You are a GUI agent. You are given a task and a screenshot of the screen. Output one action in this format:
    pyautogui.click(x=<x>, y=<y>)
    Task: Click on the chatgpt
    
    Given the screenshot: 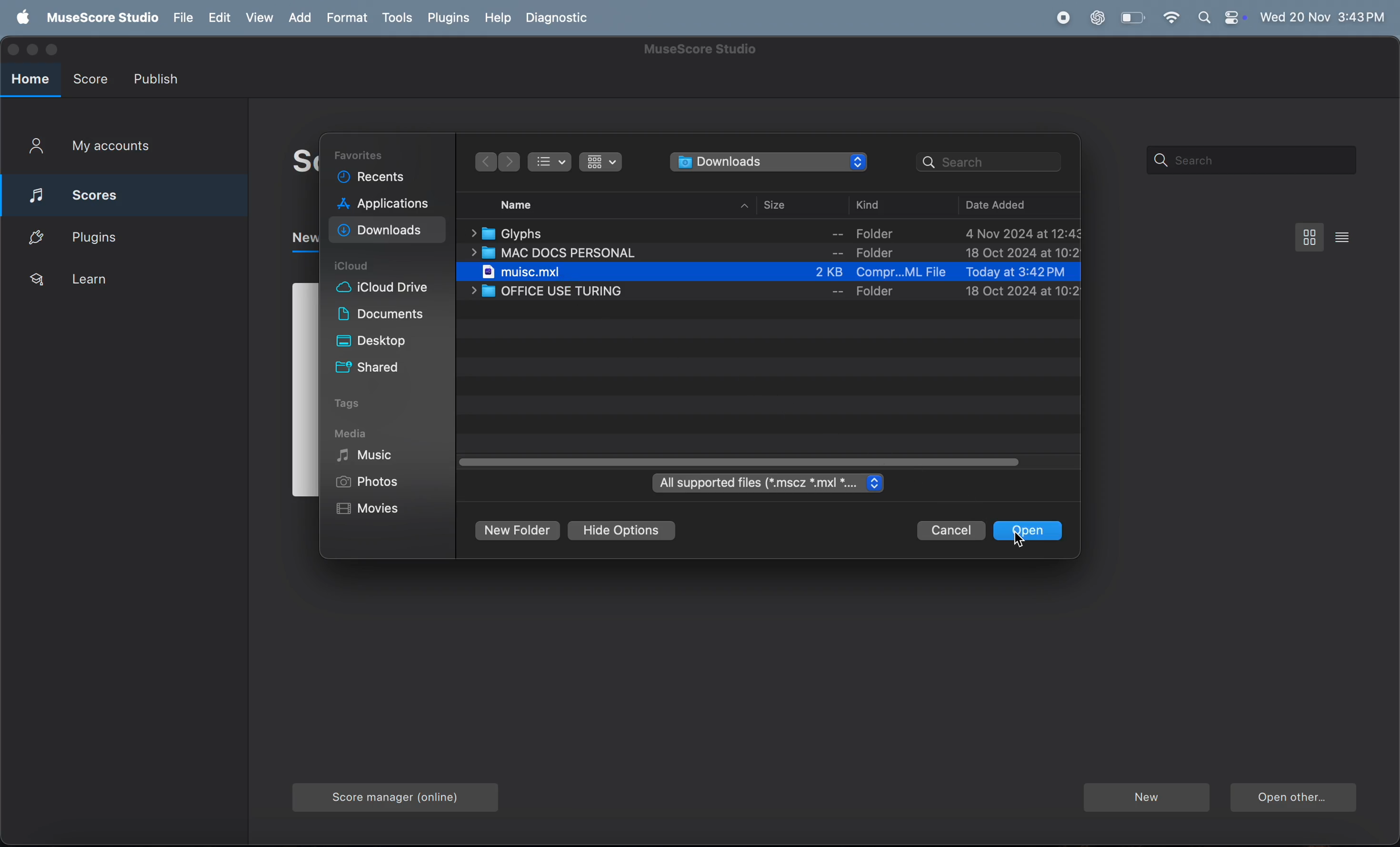 What is the action you would take?
    pyautogui.click(x=1095, y=18)
    